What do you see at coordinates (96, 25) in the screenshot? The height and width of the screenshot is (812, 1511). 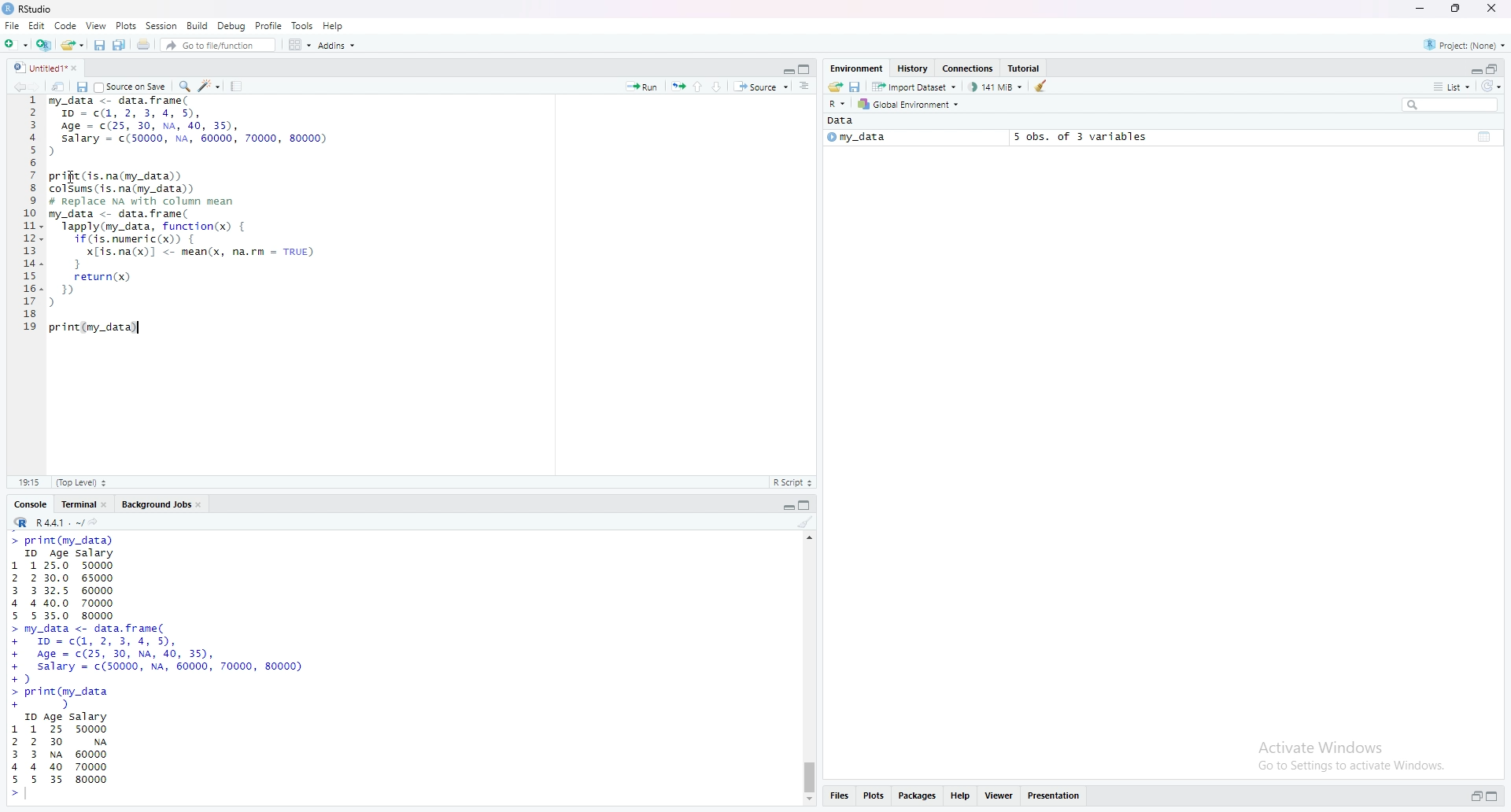 I see `view` at bounding box center [96, 25].